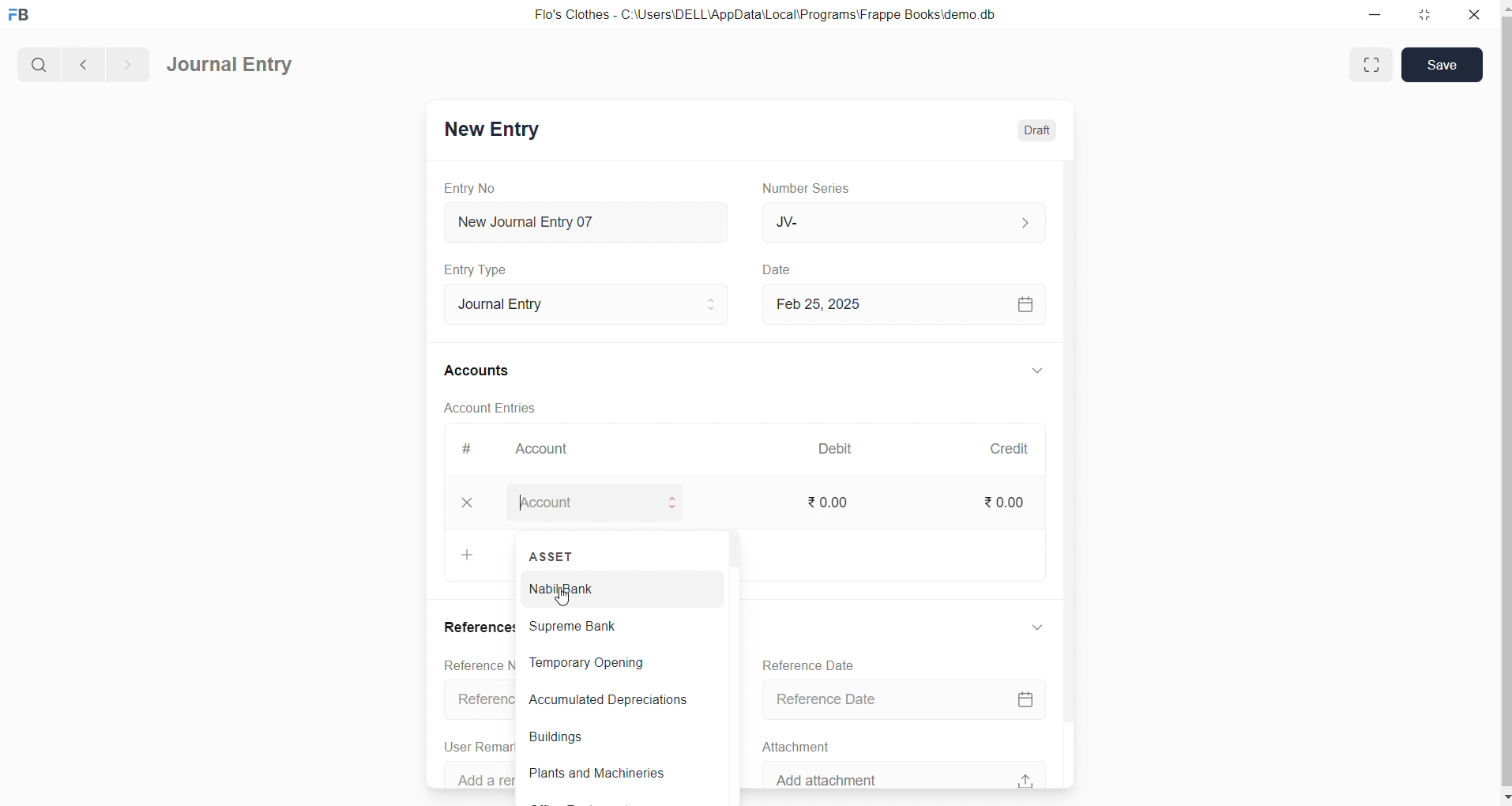 The width and height of the screenshot is (1512, 806). Describe the element at coordinates (477, 745) in the screenshot. I see `User Remark` at that location.